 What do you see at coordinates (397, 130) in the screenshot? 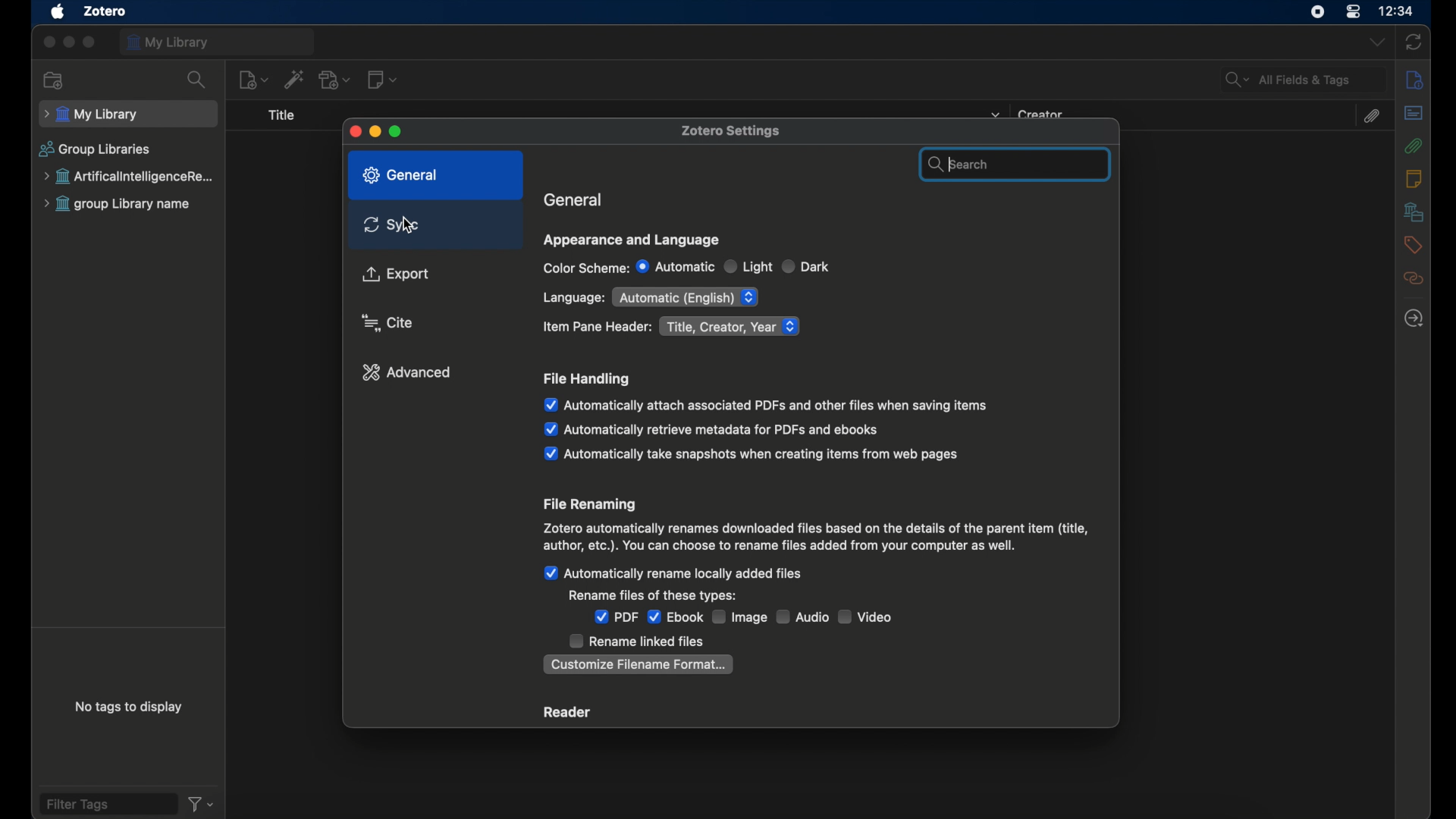
I see `maximize` at bounding box center [397, 130].